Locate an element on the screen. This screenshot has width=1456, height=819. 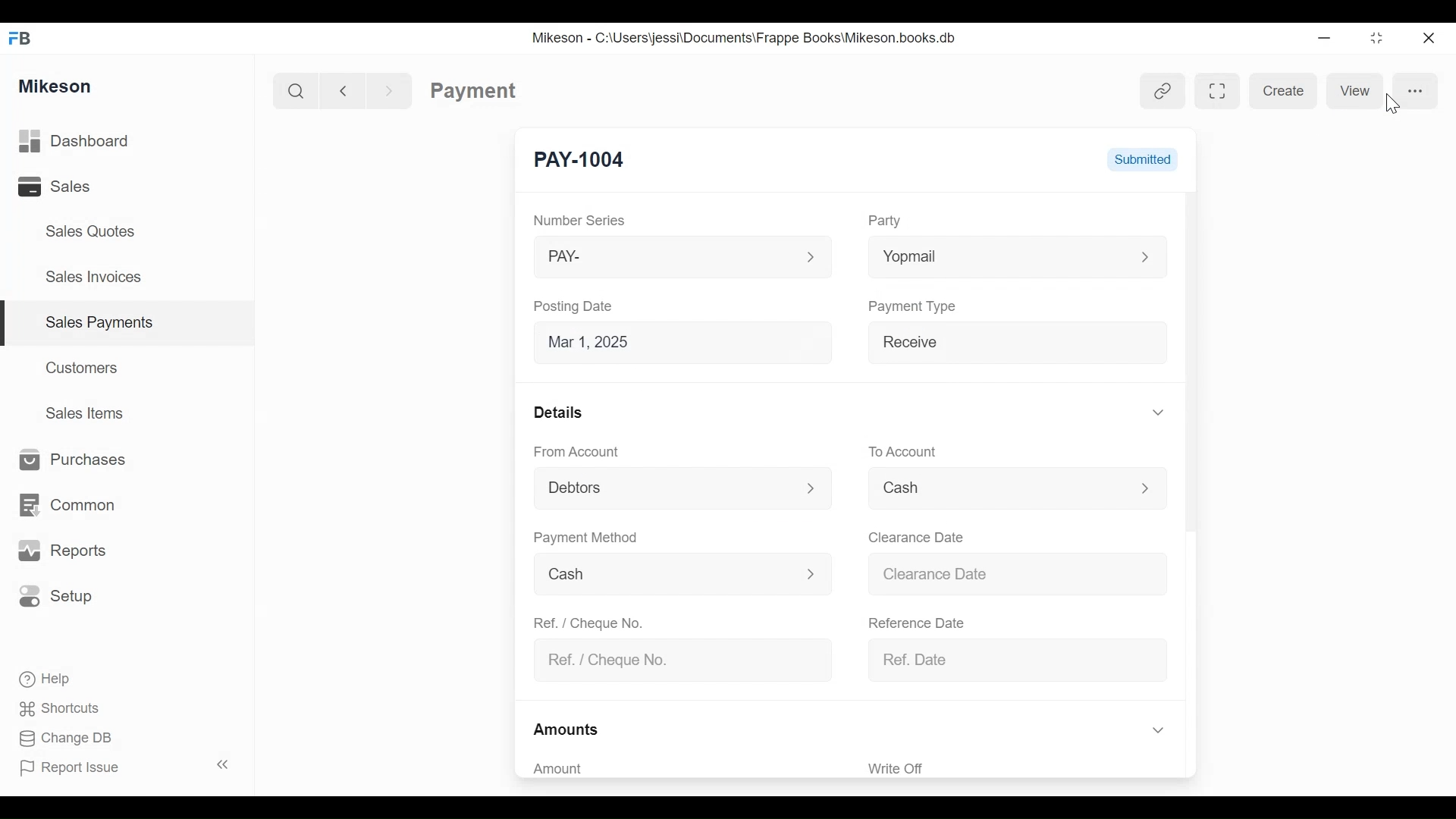
linked references is located at coordinates (1163, 89).